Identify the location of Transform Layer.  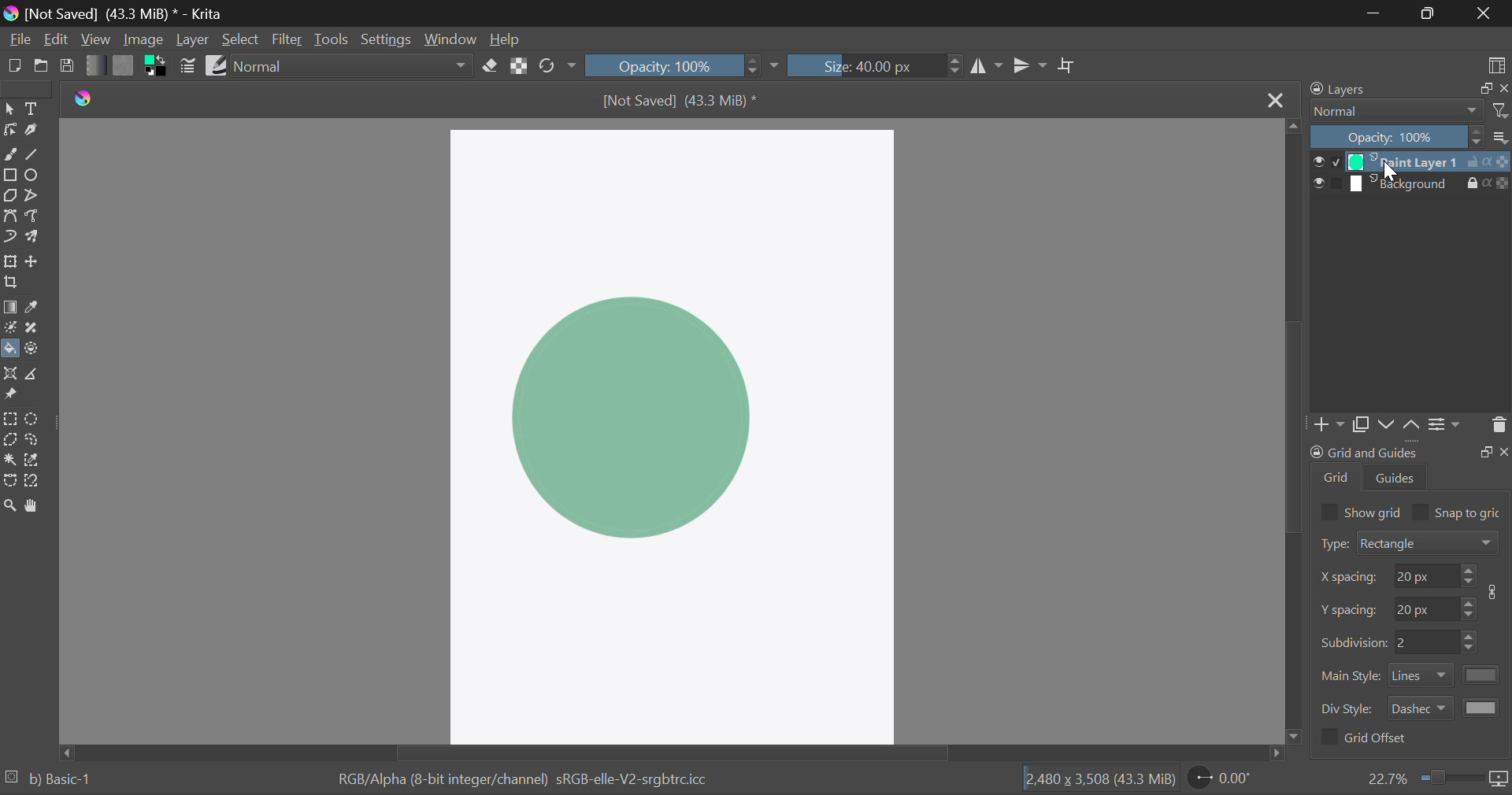
(9, 261).